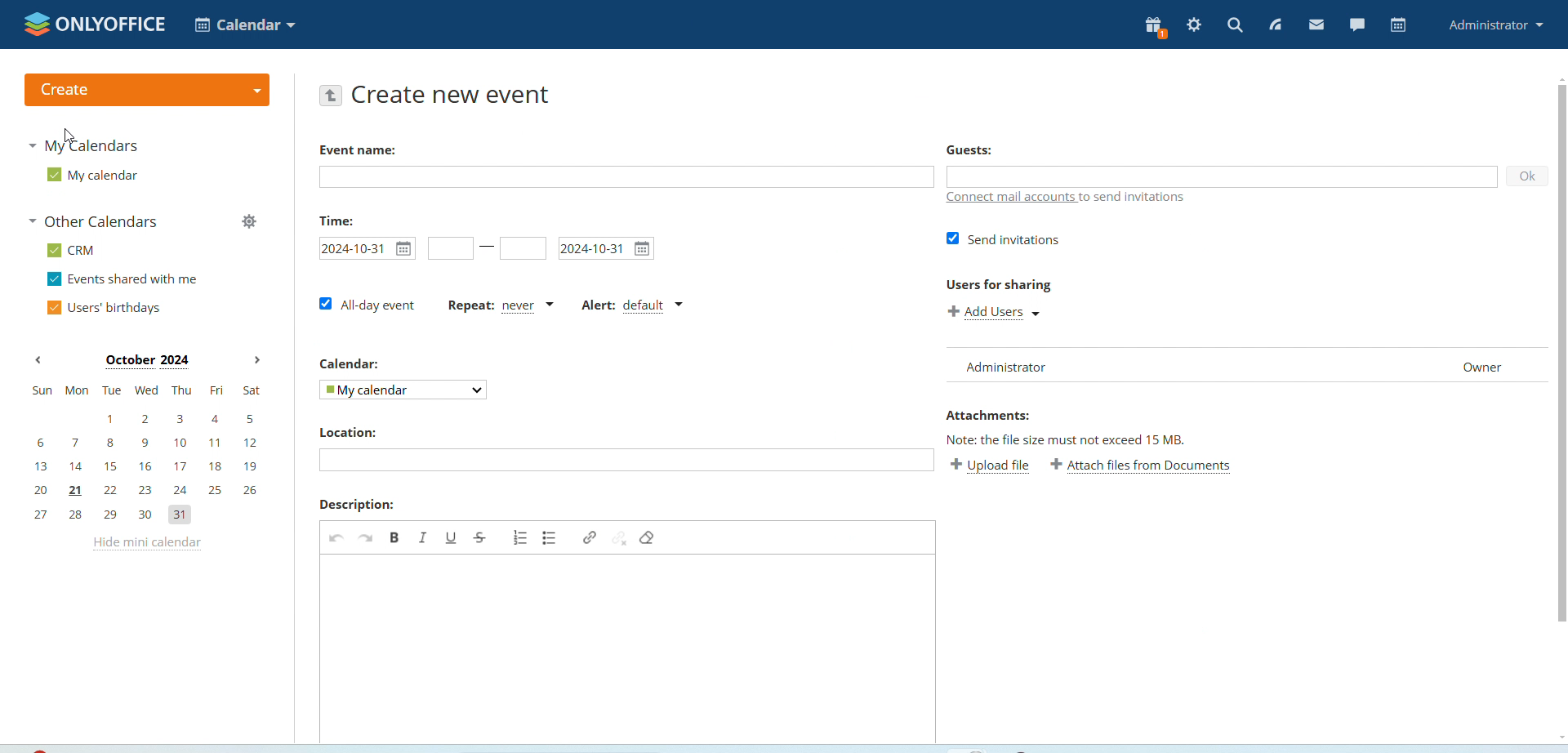 The image size is (1568, 753). Describe the element at coordinates (38, 360) in the screenshot. I see `previous month` at that location.